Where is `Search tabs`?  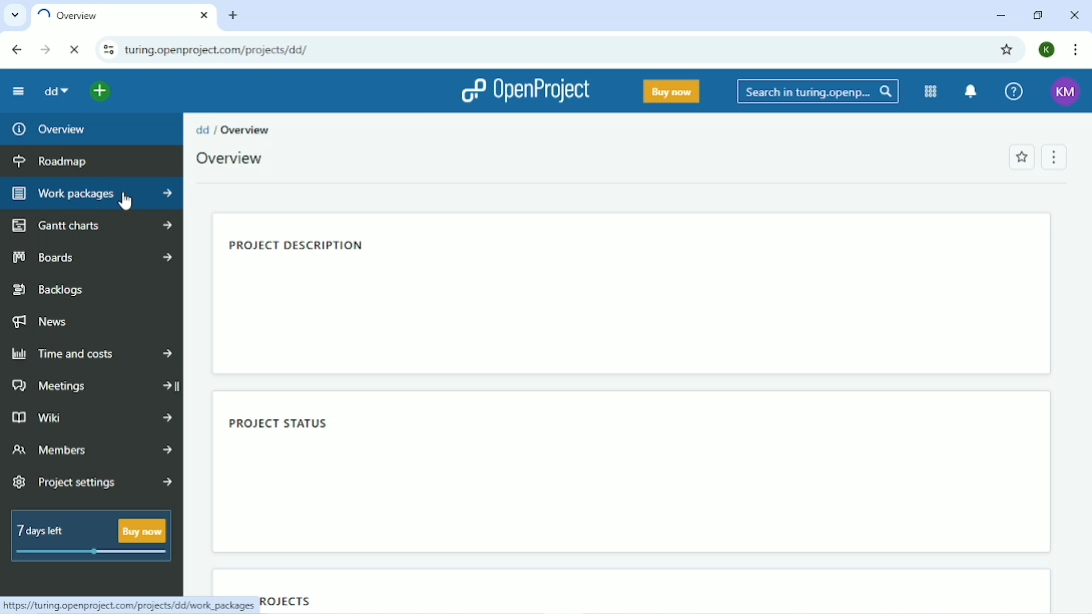 Search tabs is located at coordinates (15, 14).